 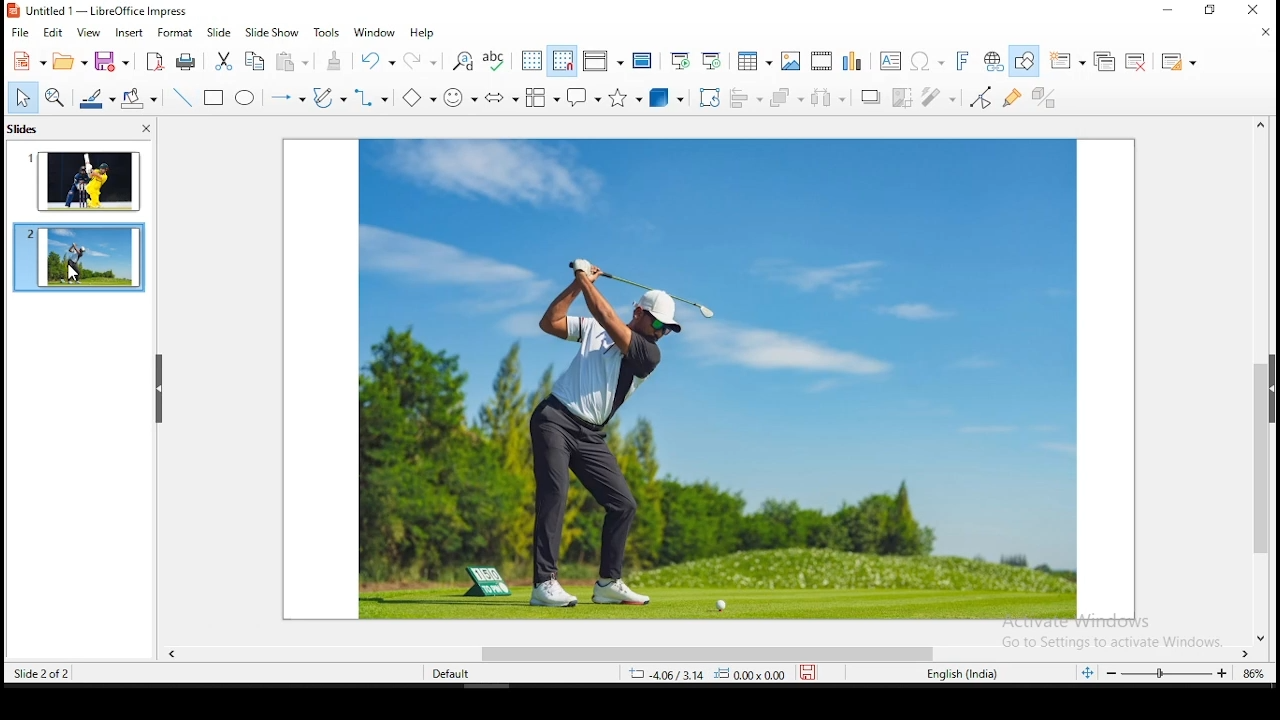 What do you see at coordinates (152, 61) in the screenshot?
I see `export as pdf` at bounding box center [152, 61].